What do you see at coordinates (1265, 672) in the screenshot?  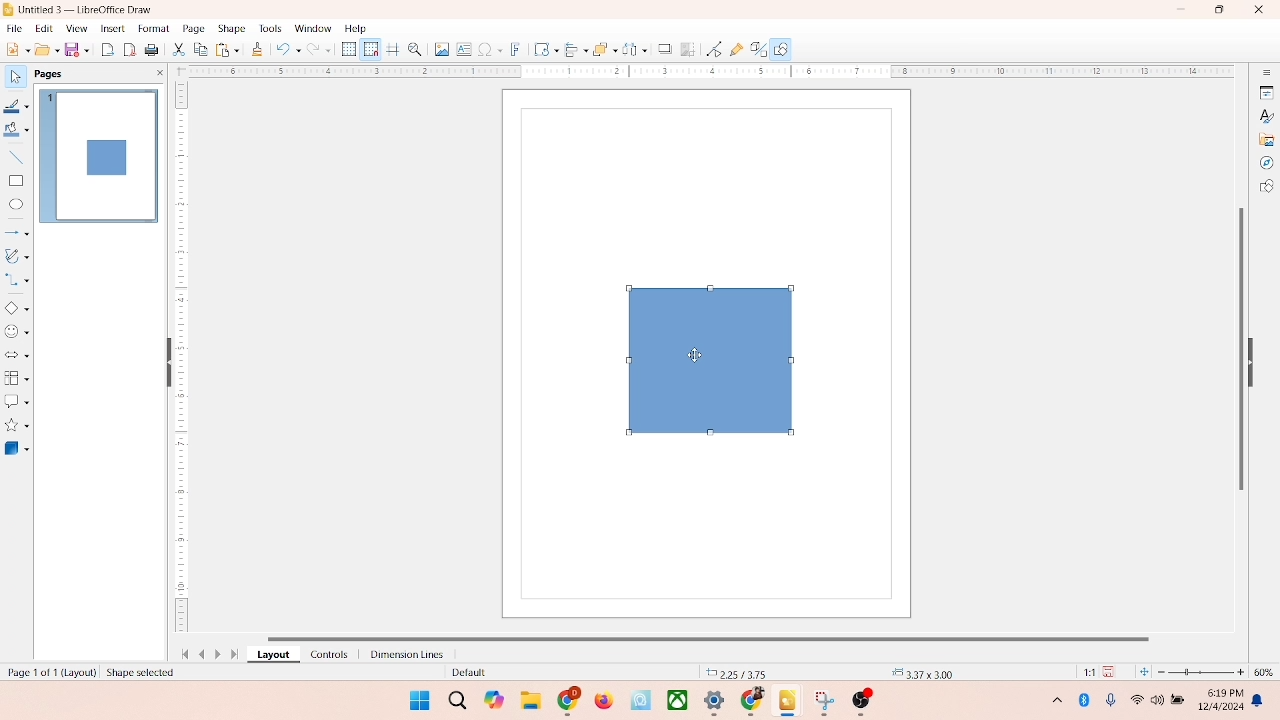 I see `zoom percentage` at bounding box center [1265, 672].